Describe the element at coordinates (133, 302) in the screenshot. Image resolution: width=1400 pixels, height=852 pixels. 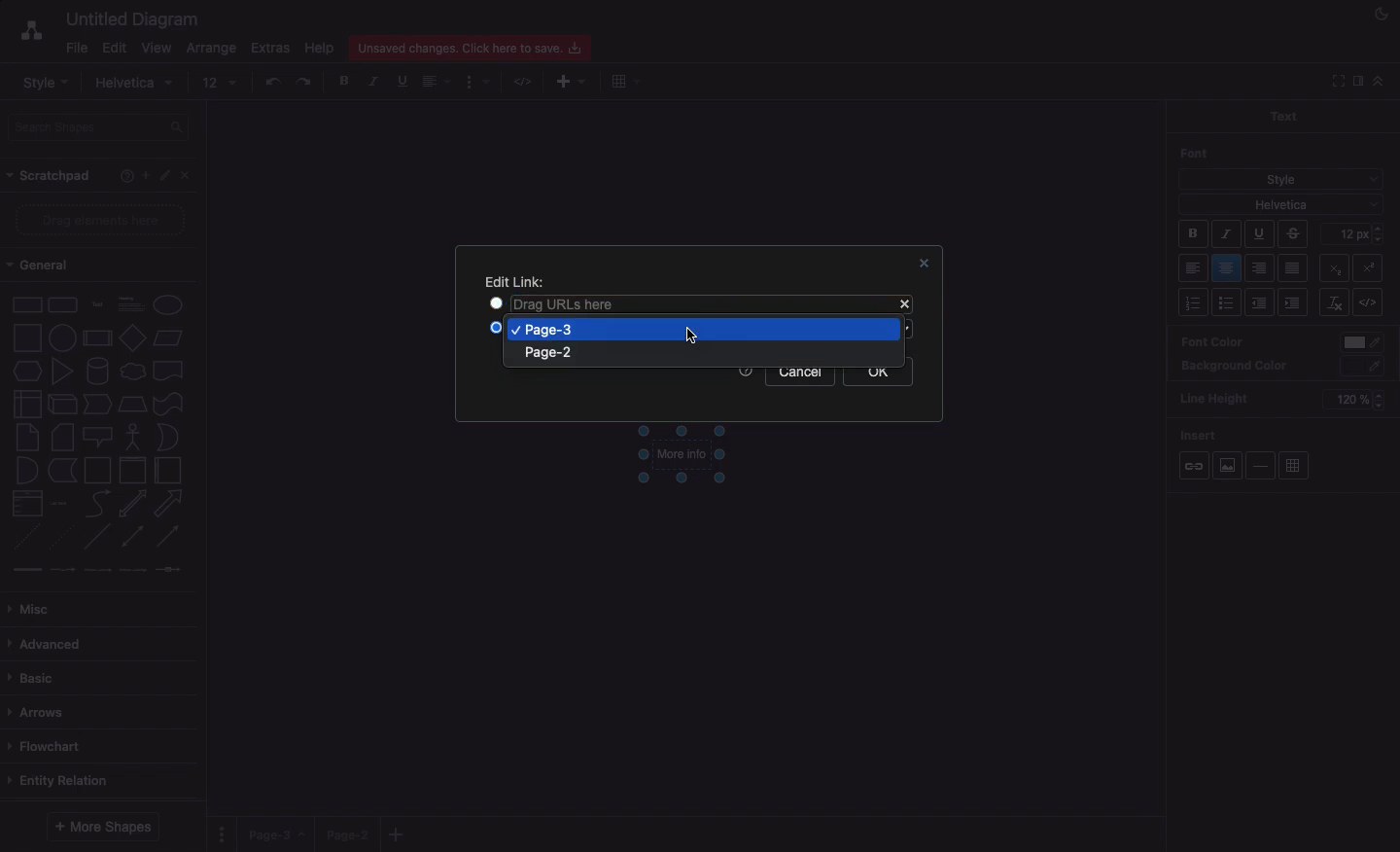
I see `Heading` at that location.